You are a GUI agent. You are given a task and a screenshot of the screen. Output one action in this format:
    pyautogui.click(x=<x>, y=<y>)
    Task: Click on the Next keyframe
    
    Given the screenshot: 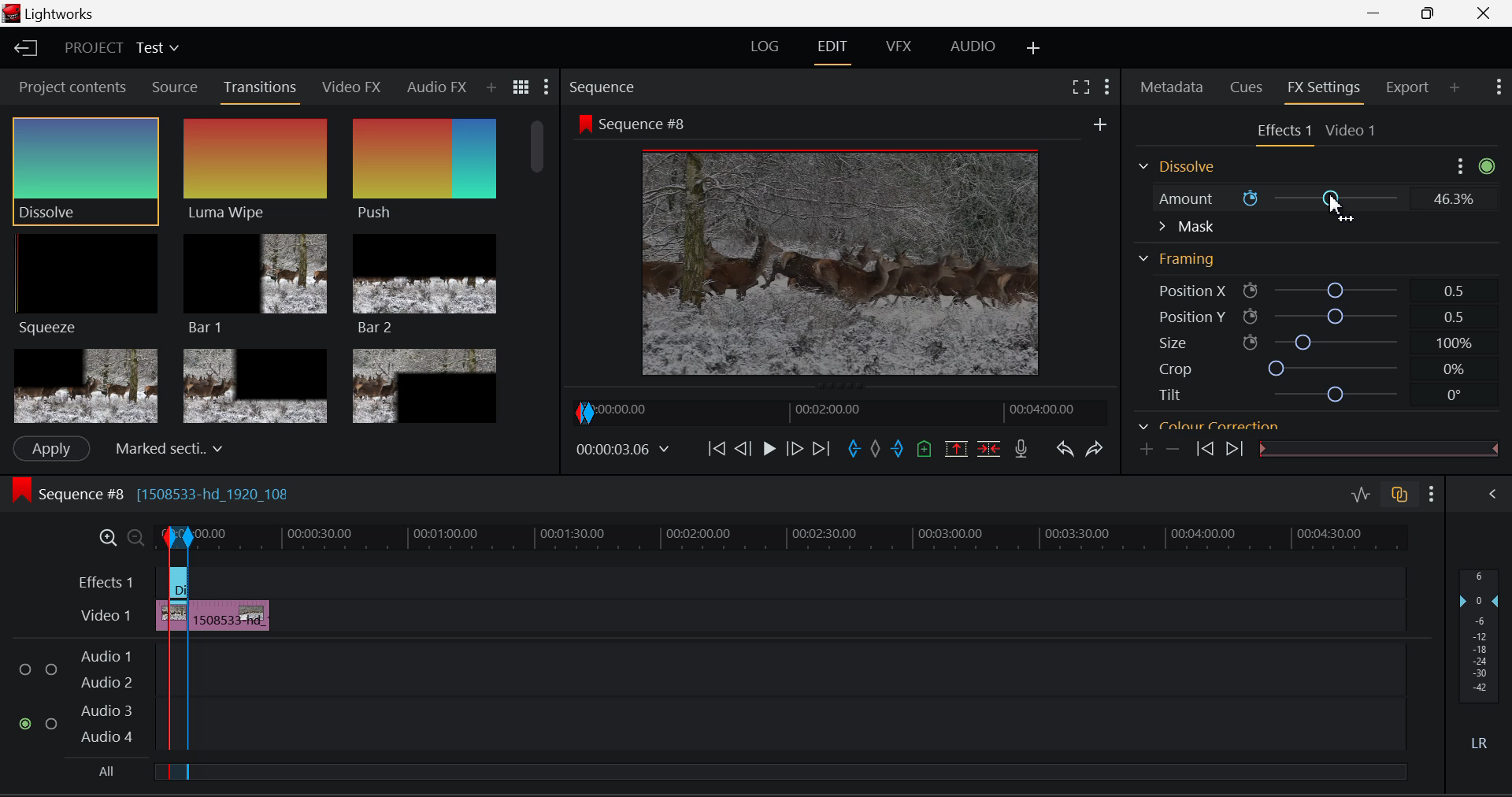 What is the action you would take?
    pyautogui.click(x=1232, y=450)
    